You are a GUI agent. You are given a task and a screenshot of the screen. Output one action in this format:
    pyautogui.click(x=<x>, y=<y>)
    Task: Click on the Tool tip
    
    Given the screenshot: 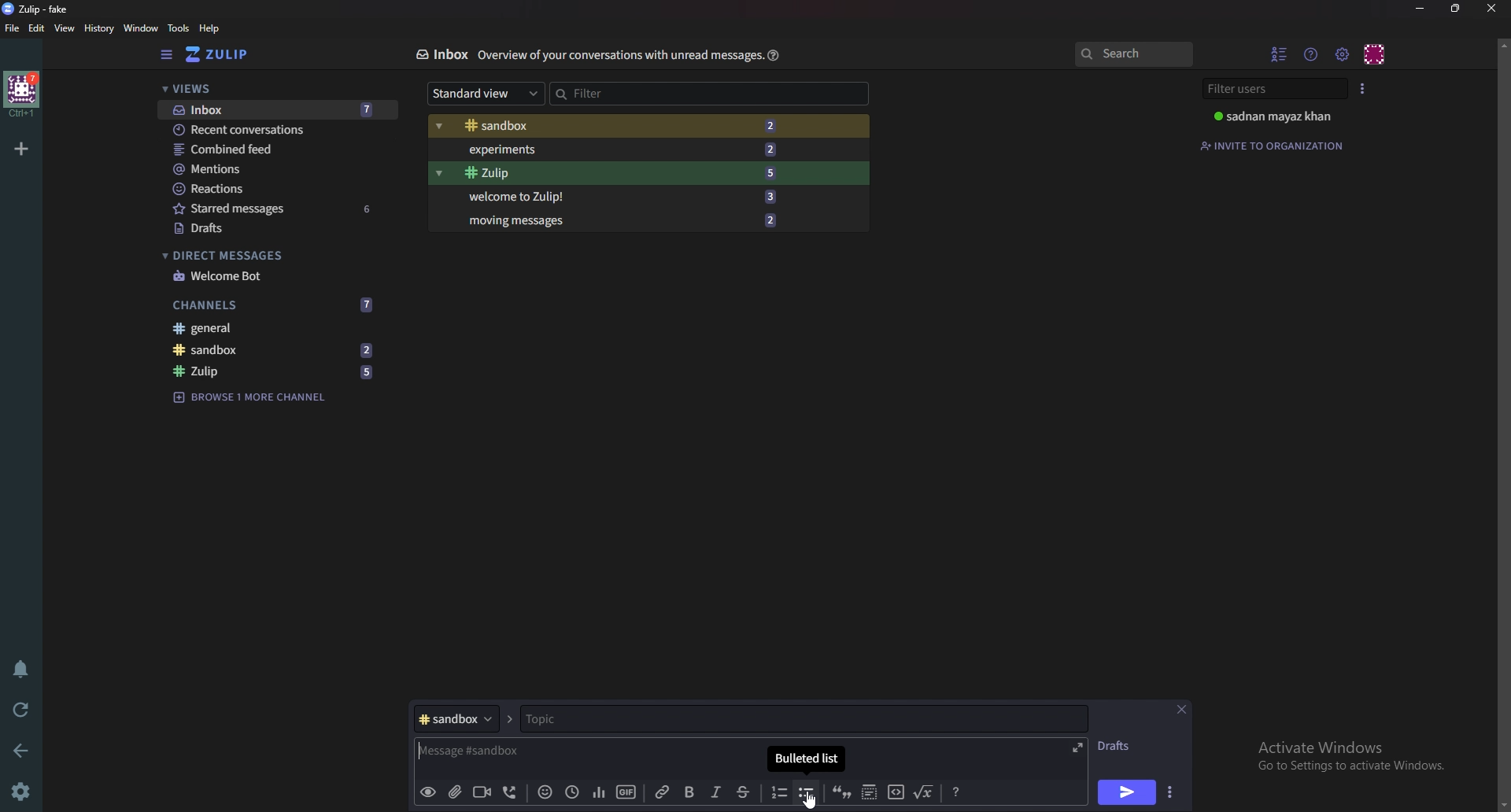 What is the action you would take?
    pyautogui.click(x=807, y=759)
    